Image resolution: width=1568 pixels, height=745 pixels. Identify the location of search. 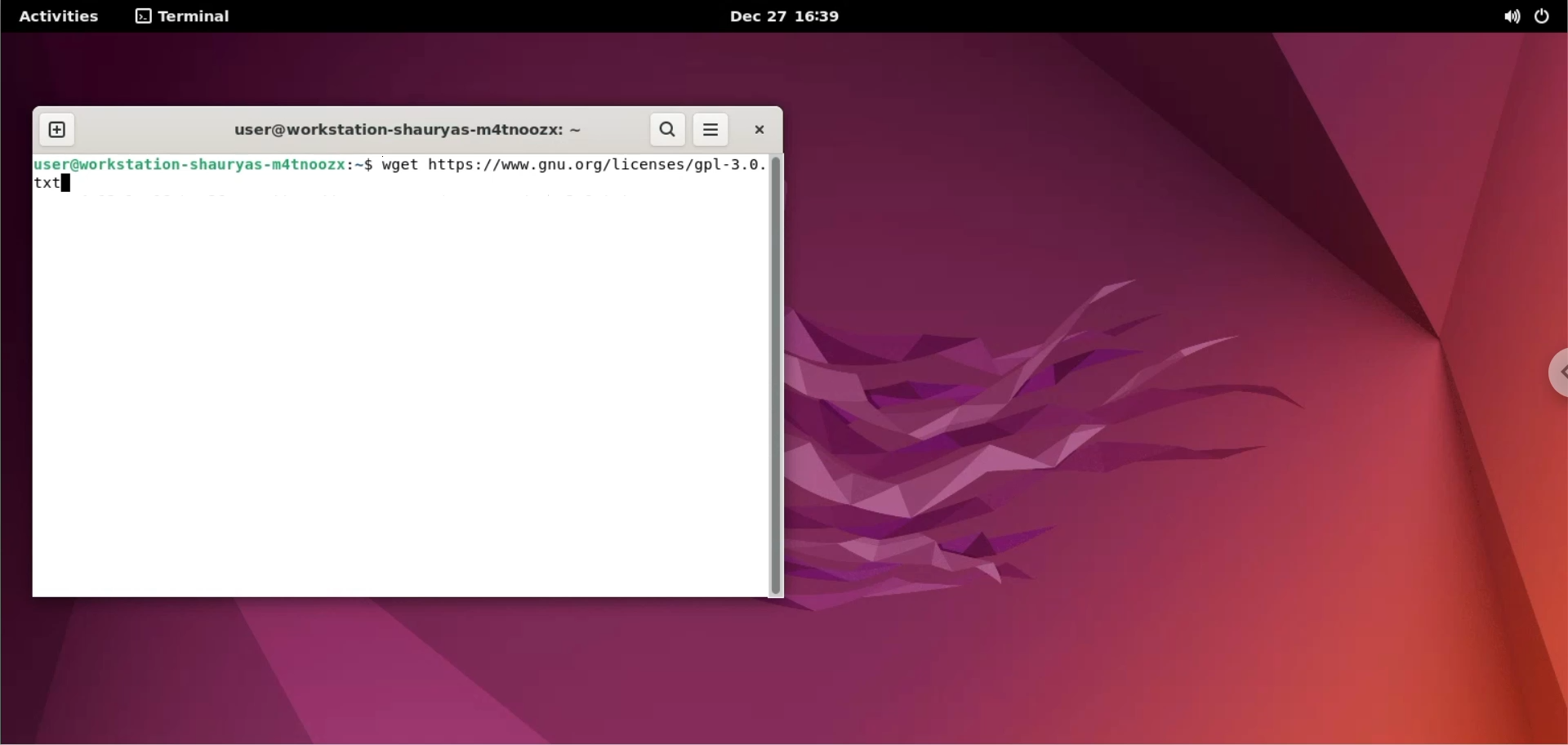
(670, 131).